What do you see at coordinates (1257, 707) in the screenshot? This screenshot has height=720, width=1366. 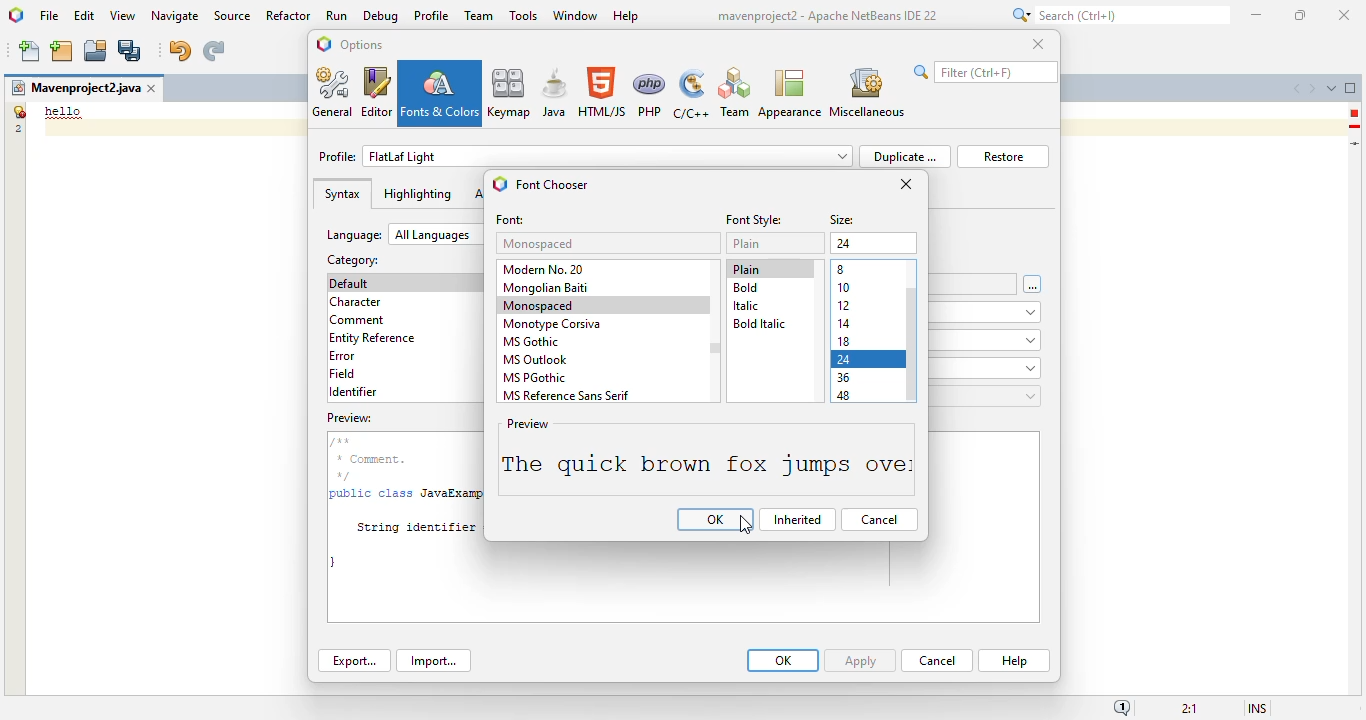 I see `insert mode` at bounding box center [1257, 707].